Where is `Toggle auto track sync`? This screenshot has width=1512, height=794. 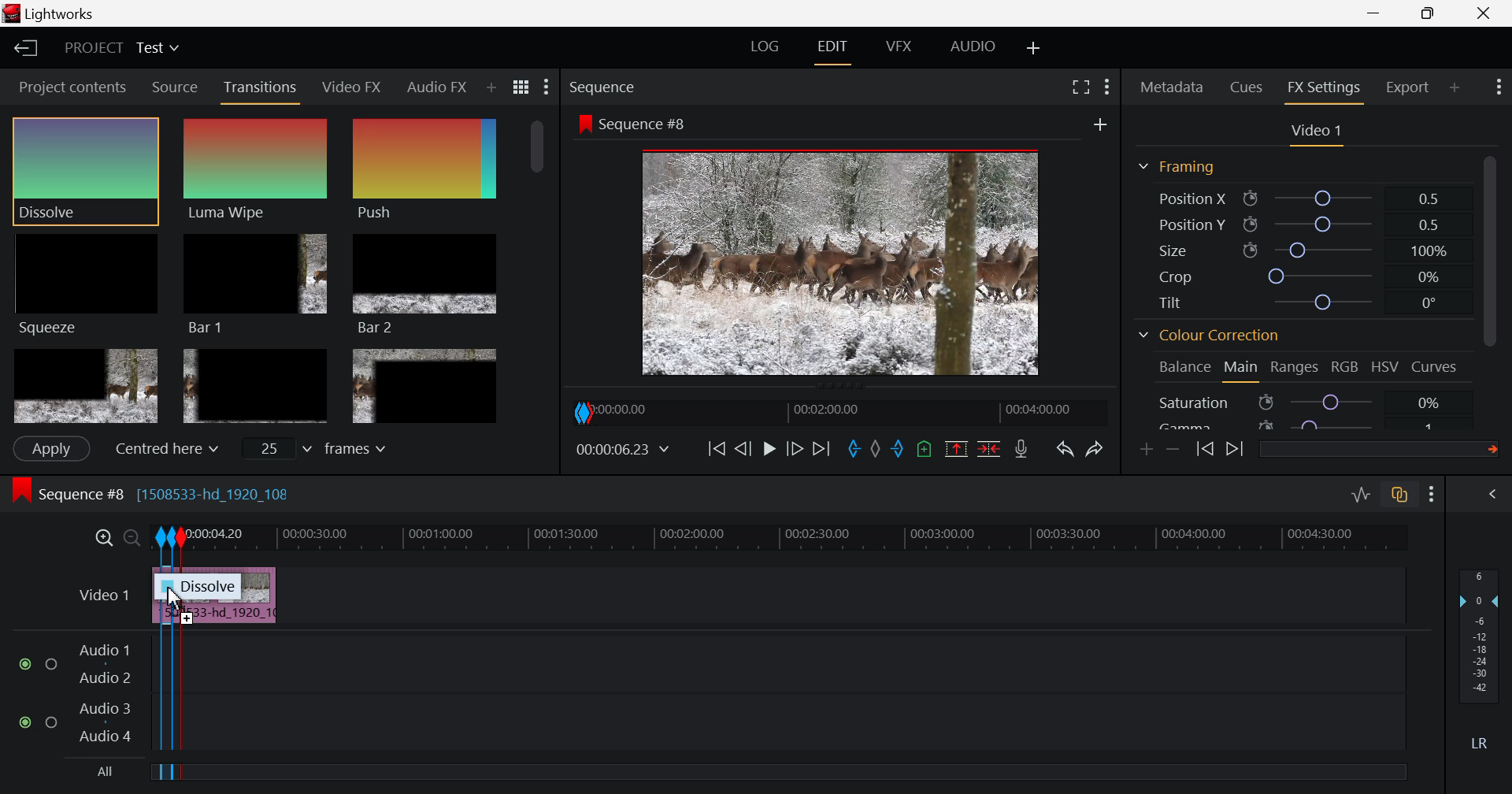 Toggle auto track sync is located at coordinates (1400, 495).